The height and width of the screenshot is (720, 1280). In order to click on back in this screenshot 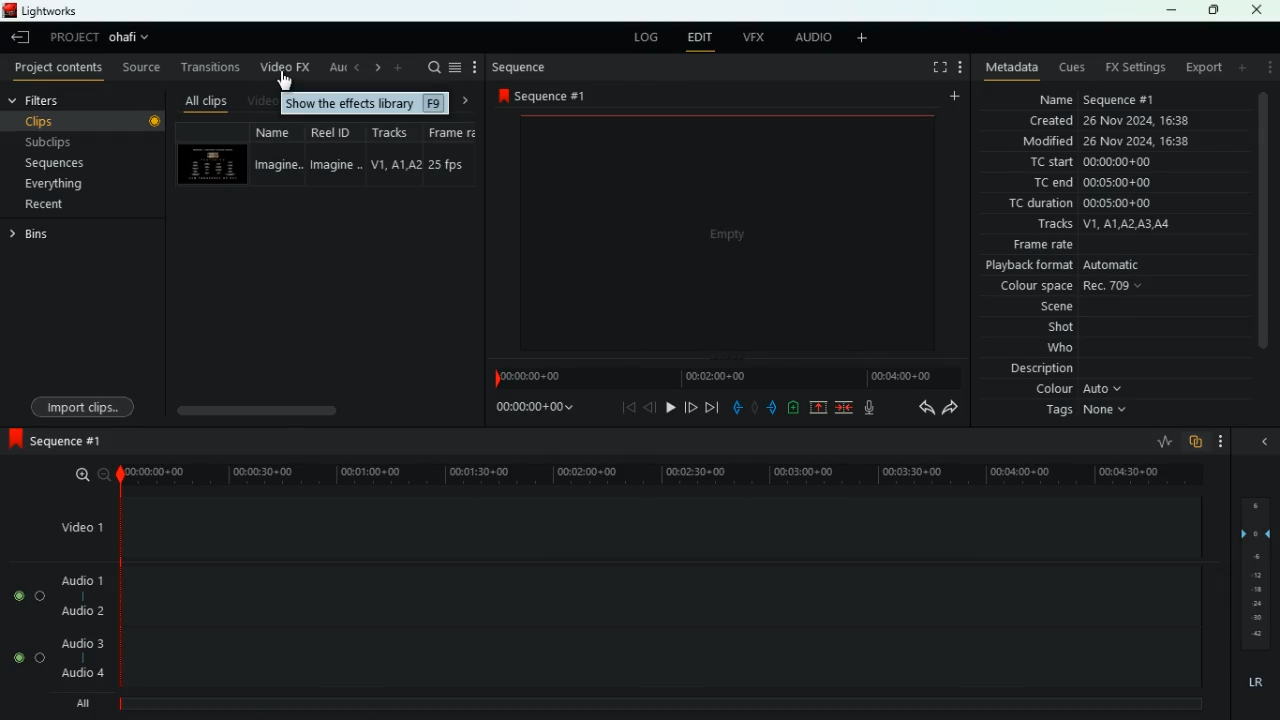, I will do `click(733, 404)`.